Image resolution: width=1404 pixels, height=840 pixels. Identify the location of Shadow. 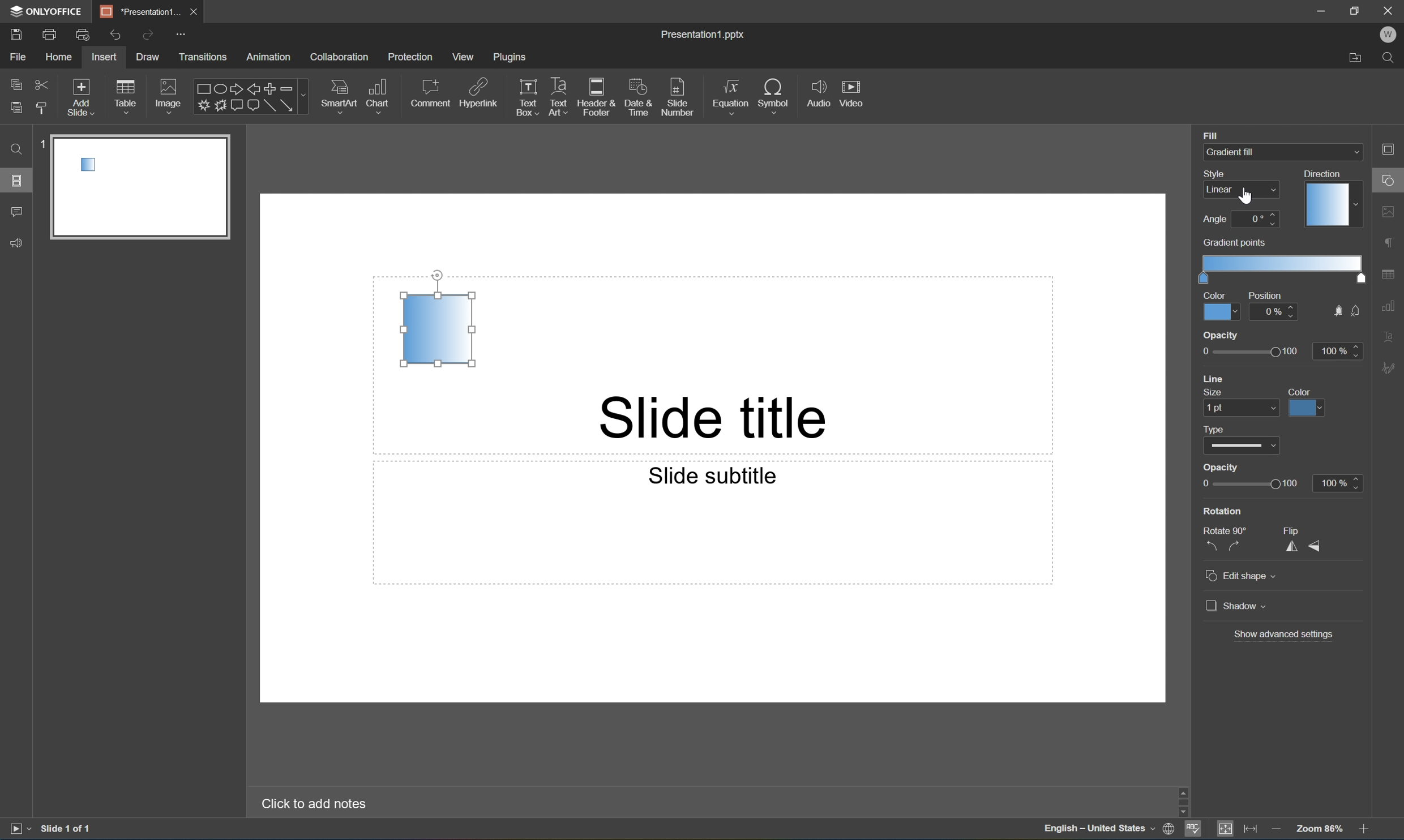
(1236, 607).